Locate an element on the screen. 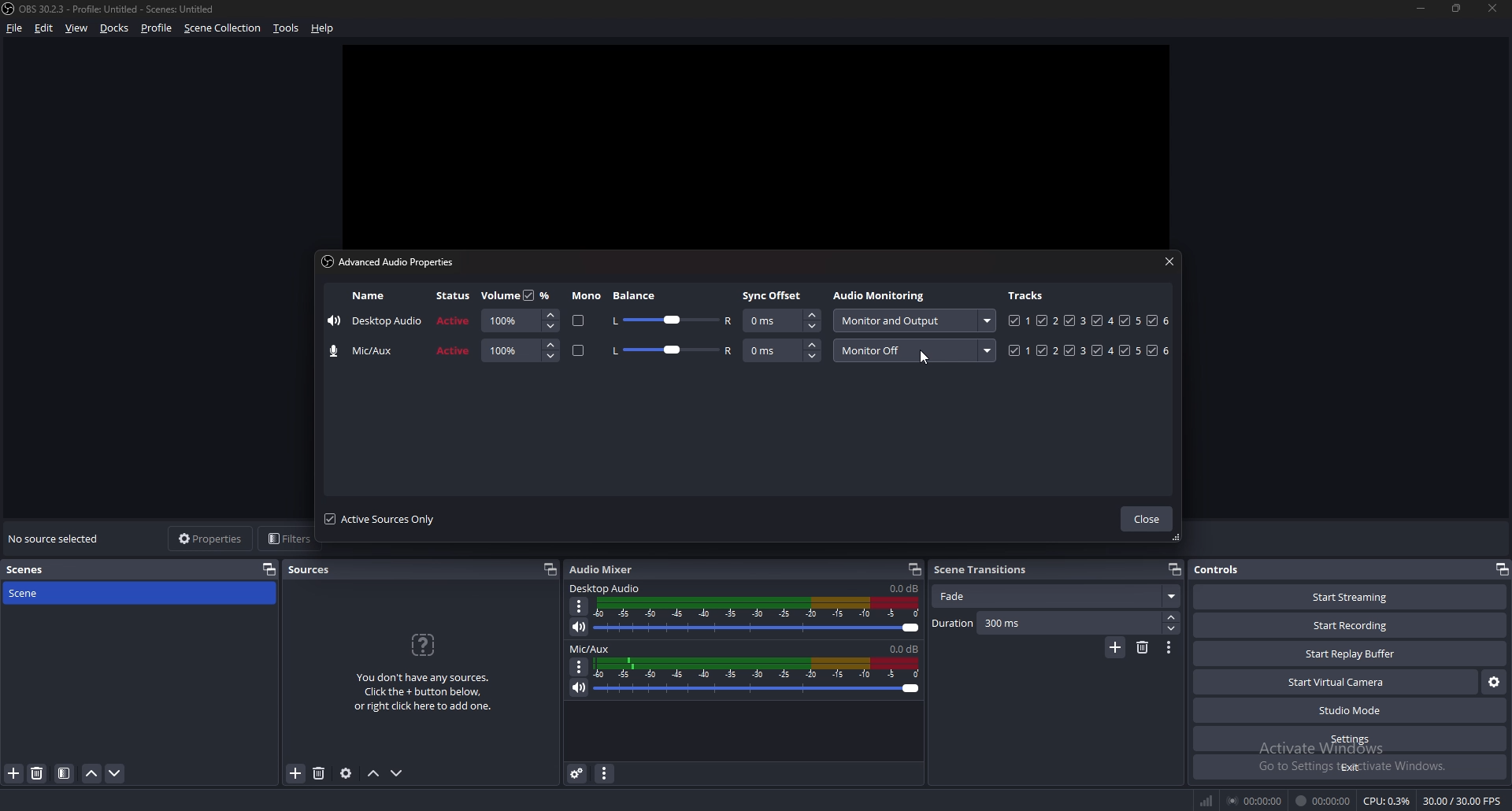 This screenshot has height=811, width=1512. cursor is located at coordinates (922, 359).